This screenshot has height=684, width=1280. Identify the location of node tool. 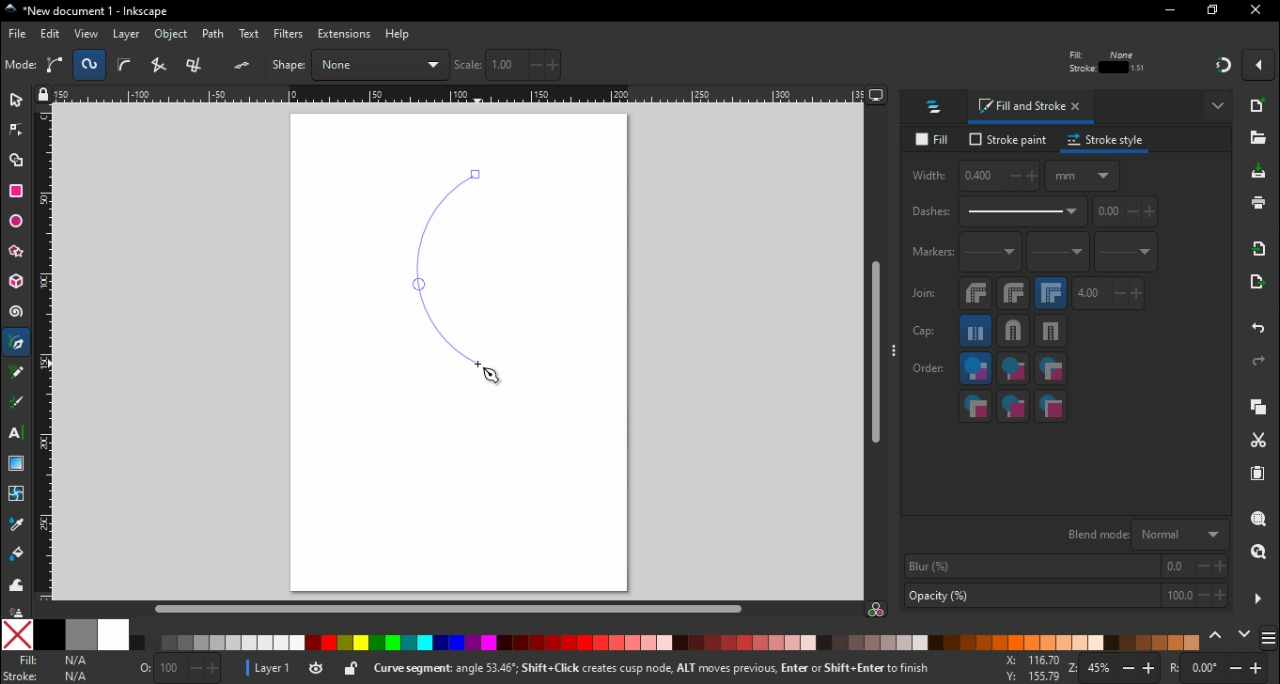
(16, 135).